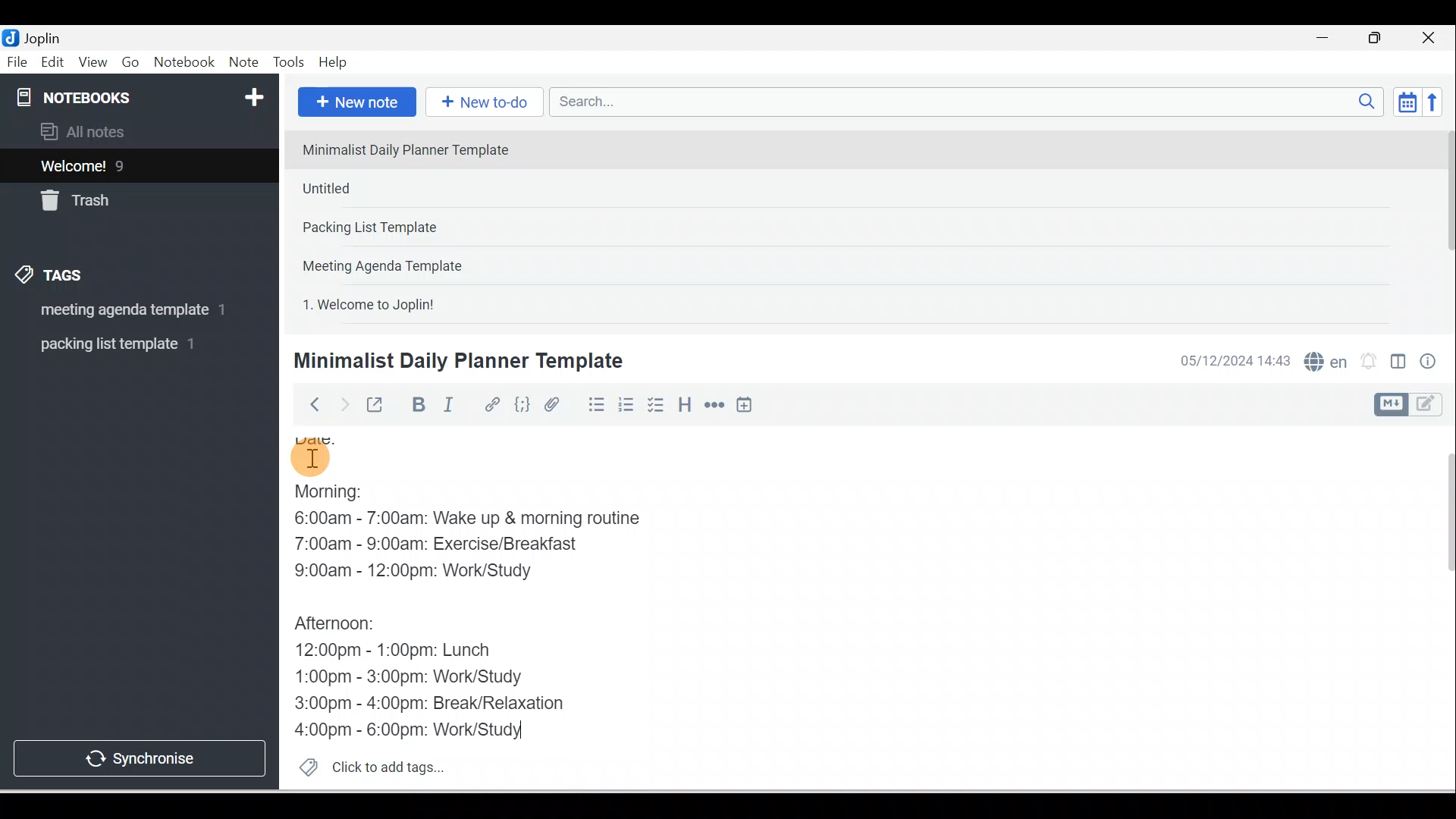 The image size is (1456, 819). Describe the element at coordinates (403, 262) in the screenshot. I see `Note 4` at that location.